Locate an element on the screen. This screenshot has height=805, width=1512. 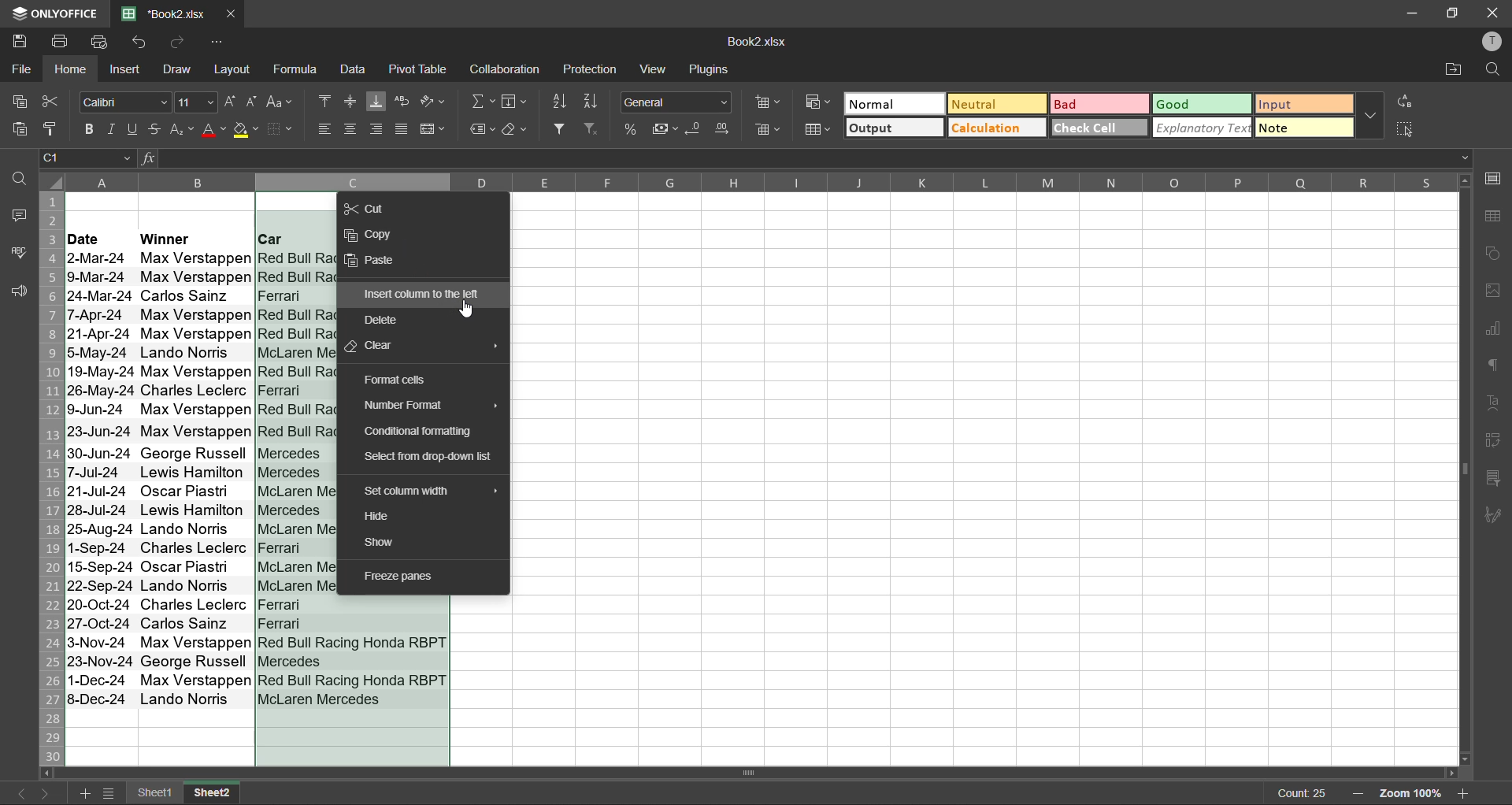
font color is located at coordinates (213, 131).